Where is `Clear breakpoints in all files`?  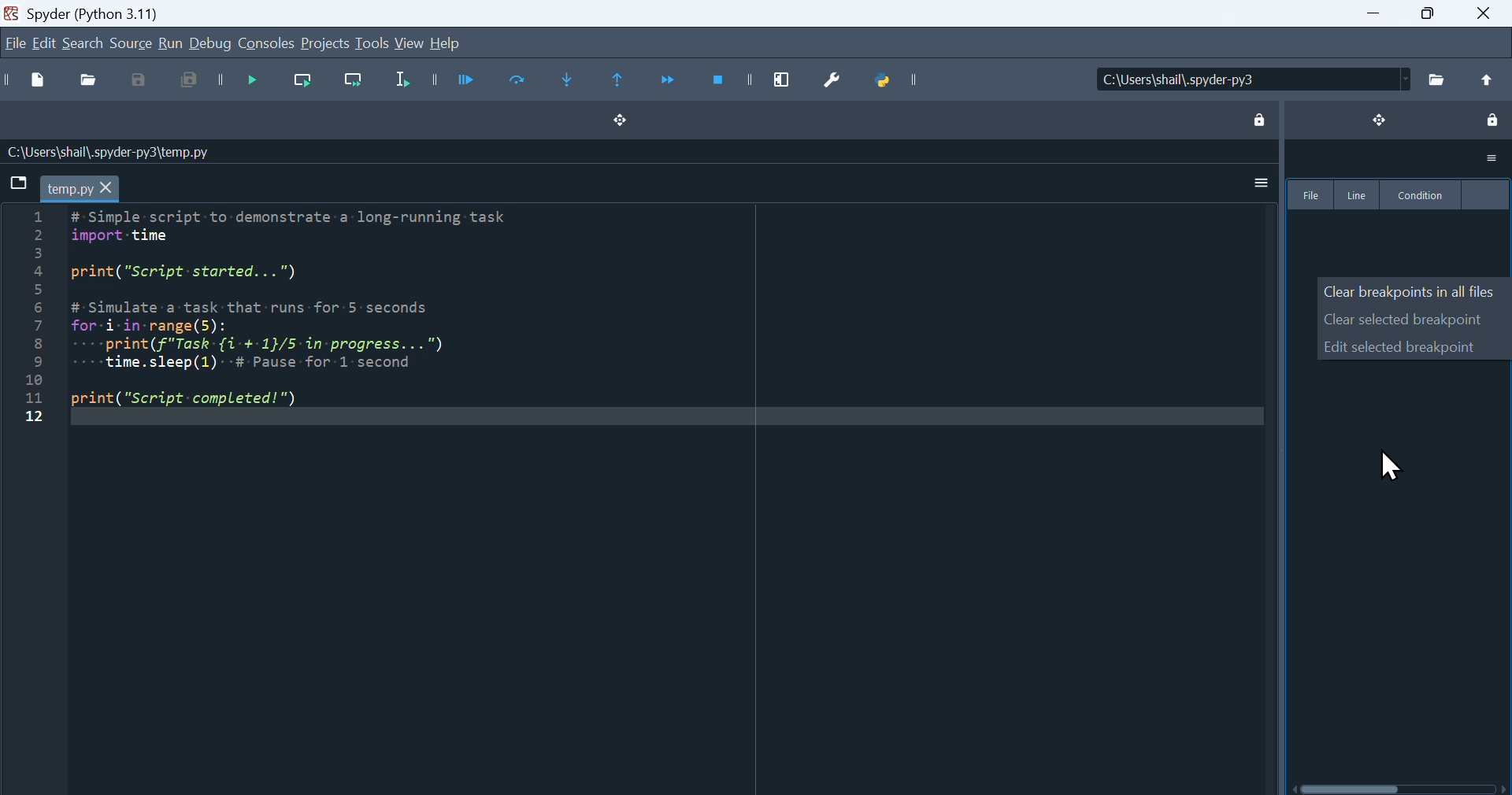
Clear breakpoints in all files is located at coordinates (1410, 290).